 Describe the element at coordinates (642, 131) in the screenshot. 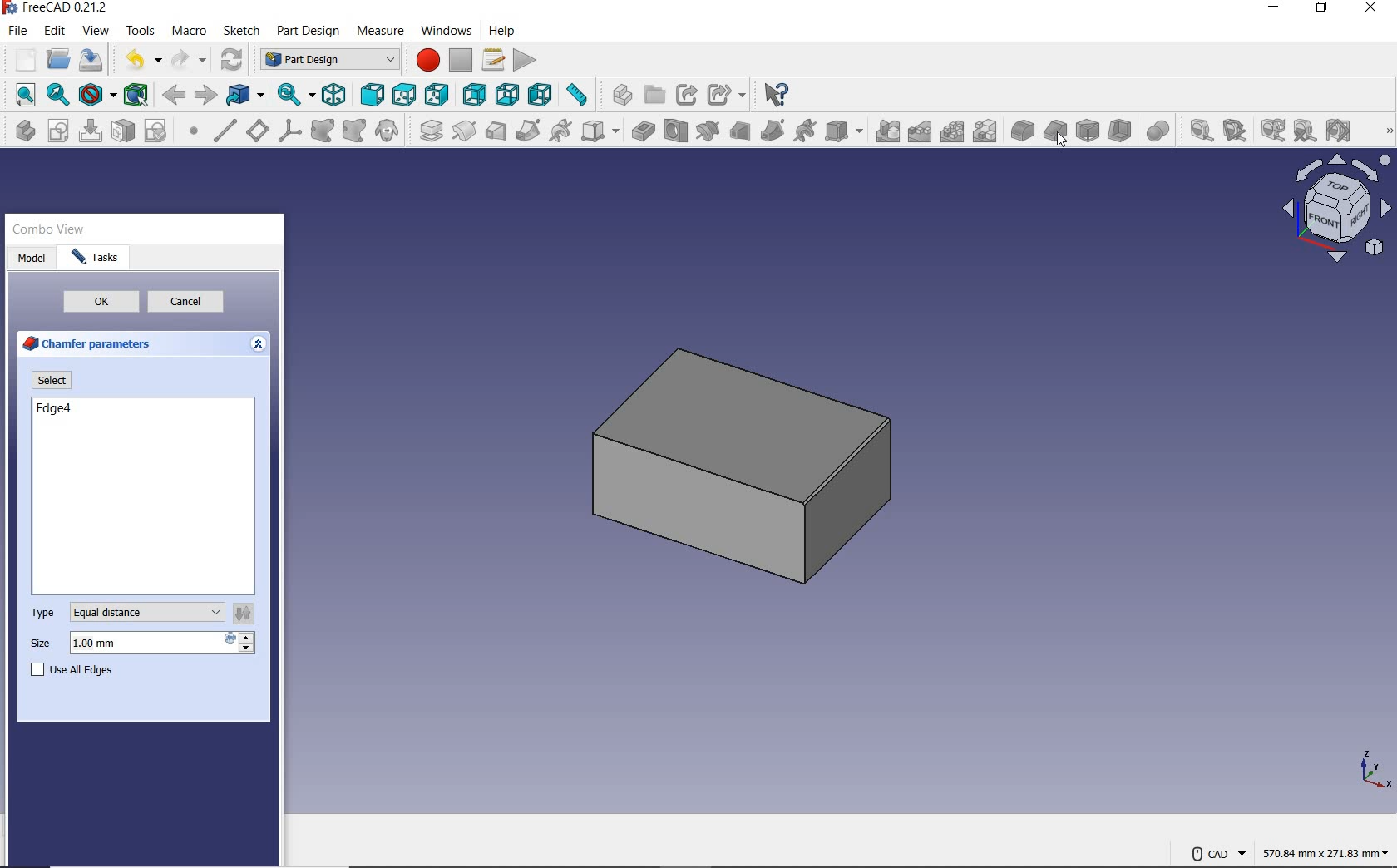

I see `pocket` at that location.